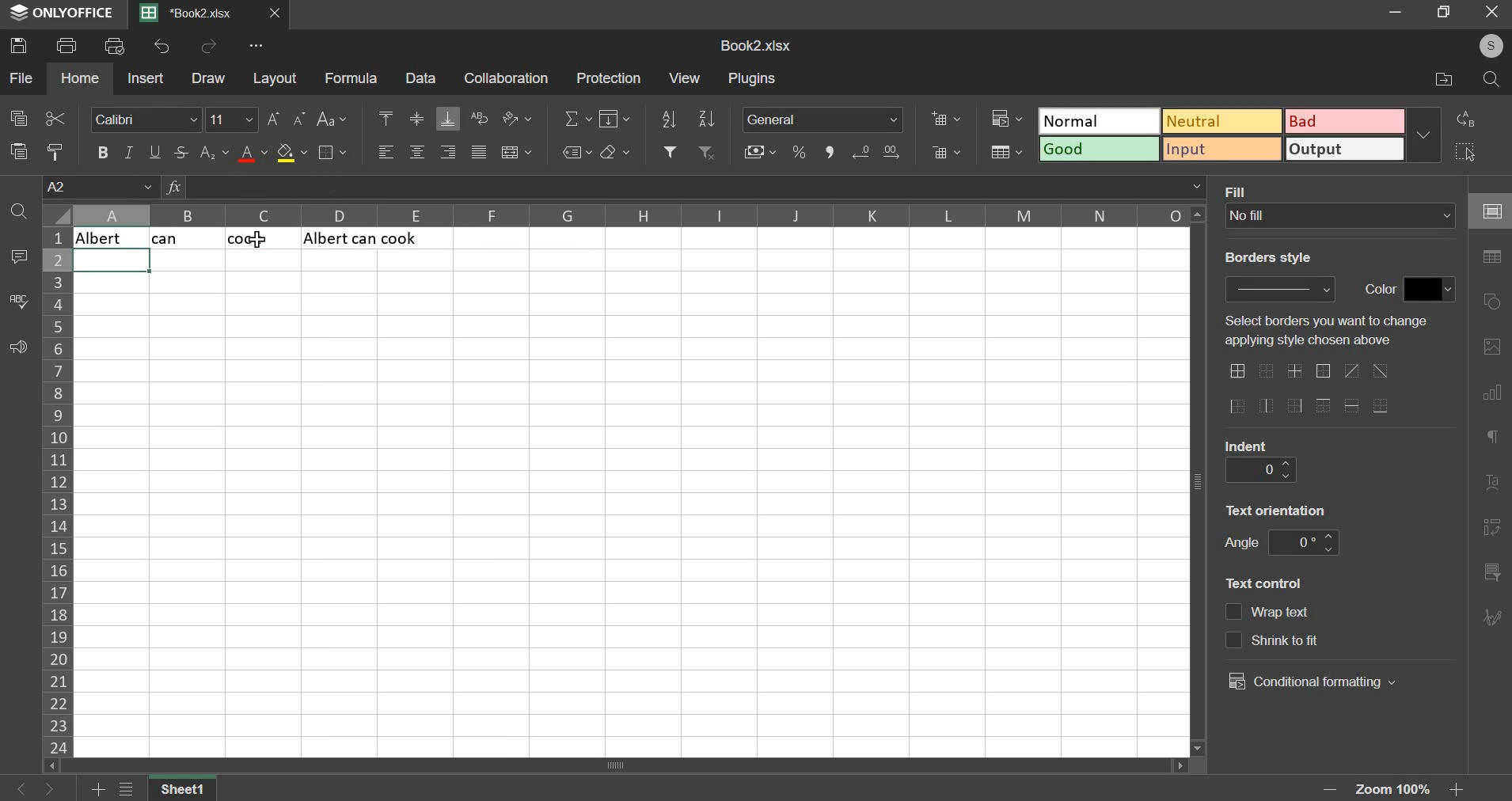 The width and height of the screenshot is (1512, 801). I want to click on justified, so click(478, 151).